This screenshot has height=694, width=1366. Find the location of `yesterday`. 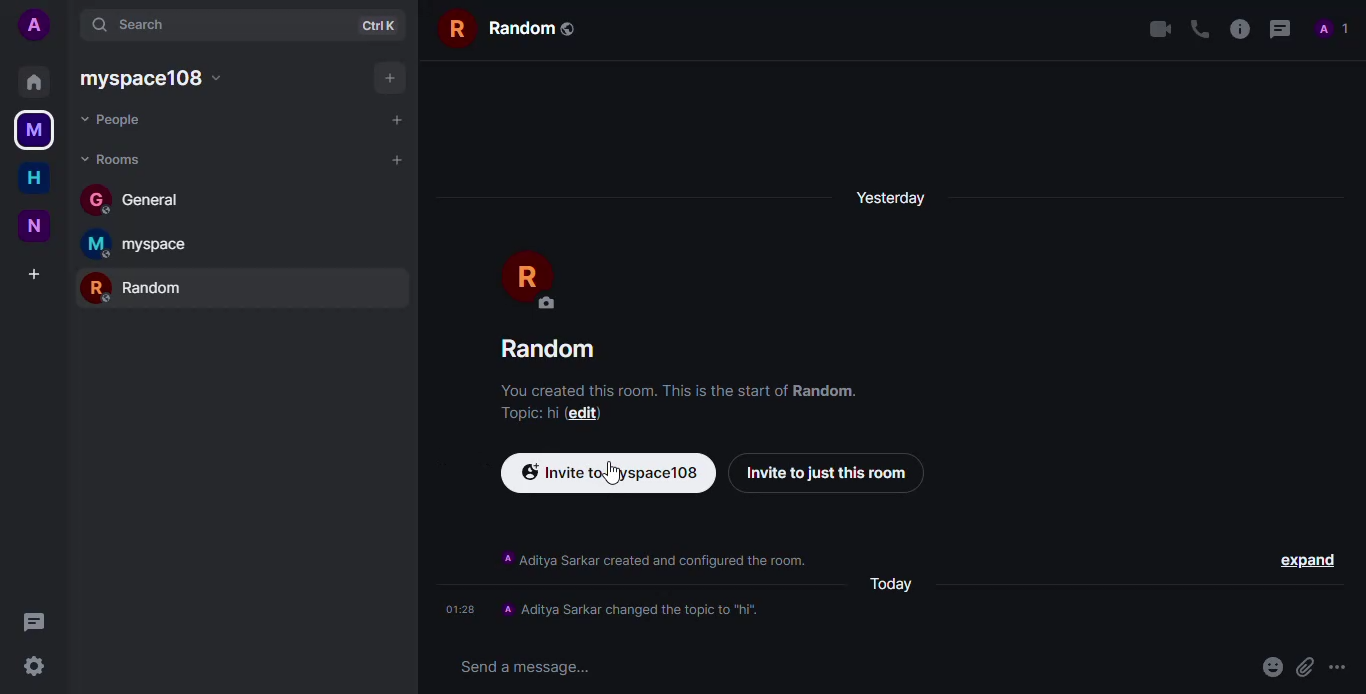

yesterday is located at coordinates (895, 197).